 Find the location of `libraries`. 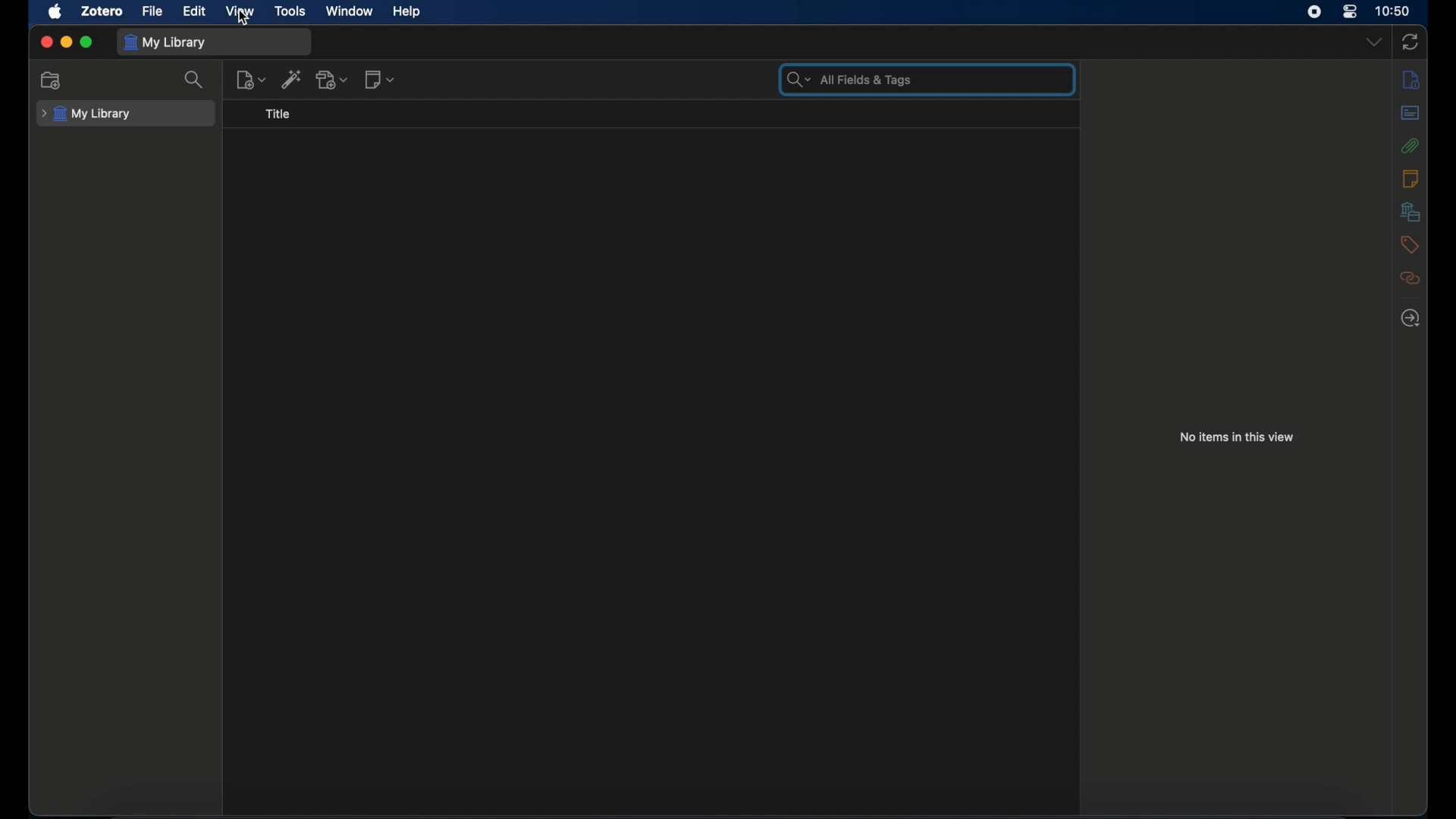

libraries is located at coordinates (1410, 212).